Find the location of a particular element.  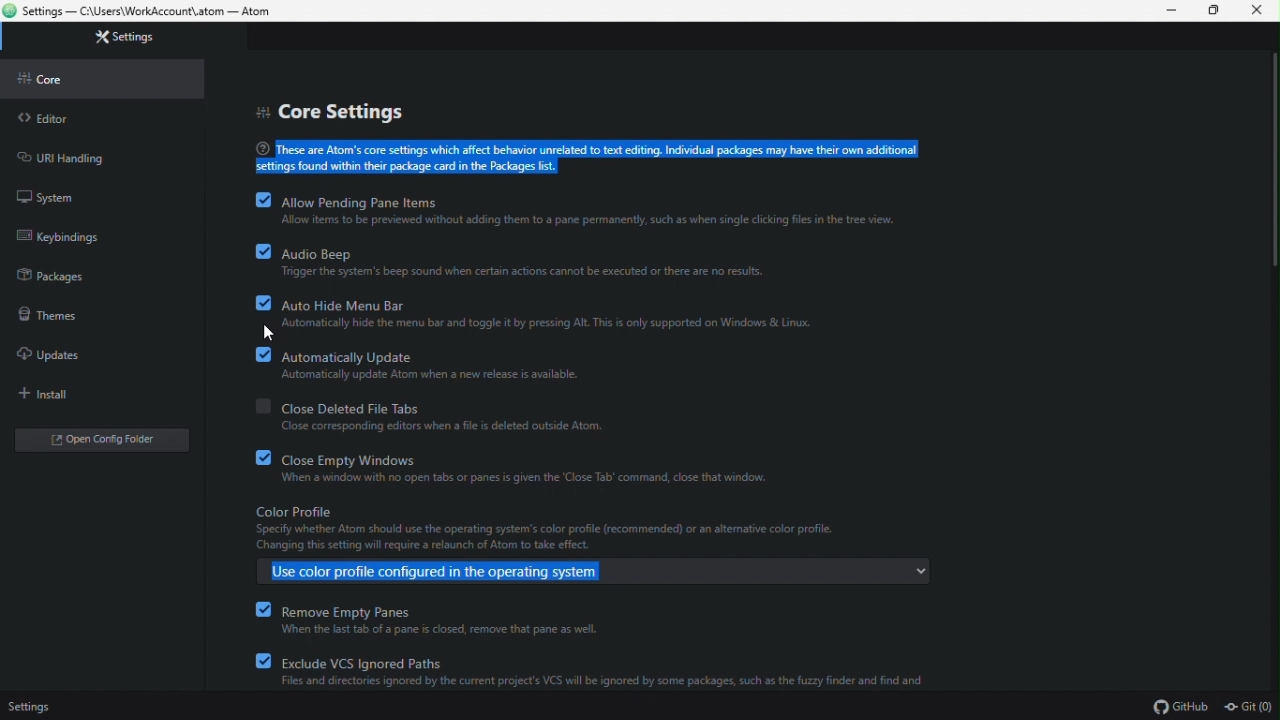

Close Deleted File Tabs
Close corresponding editors when a file is deleted outside Atom. is located at coordinates (510, 417).